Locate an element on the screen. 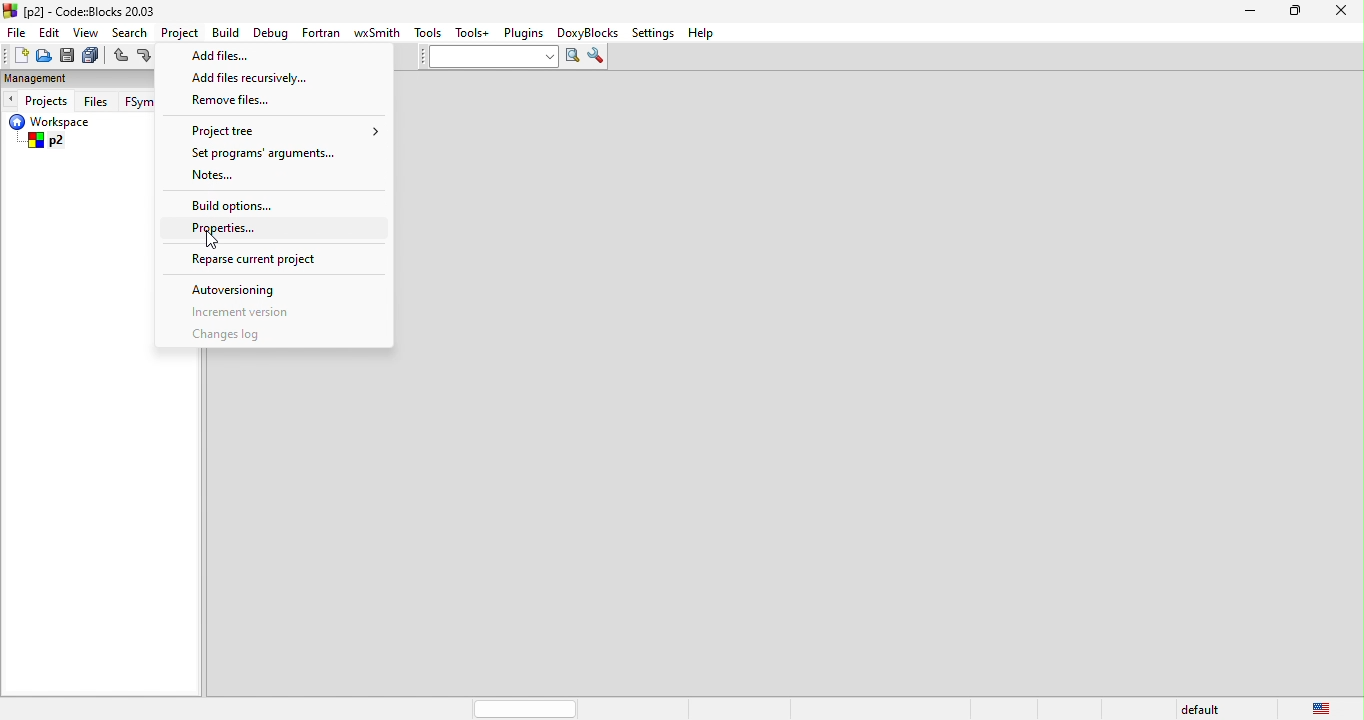  reparse current project is located at coordinates (279, 257).